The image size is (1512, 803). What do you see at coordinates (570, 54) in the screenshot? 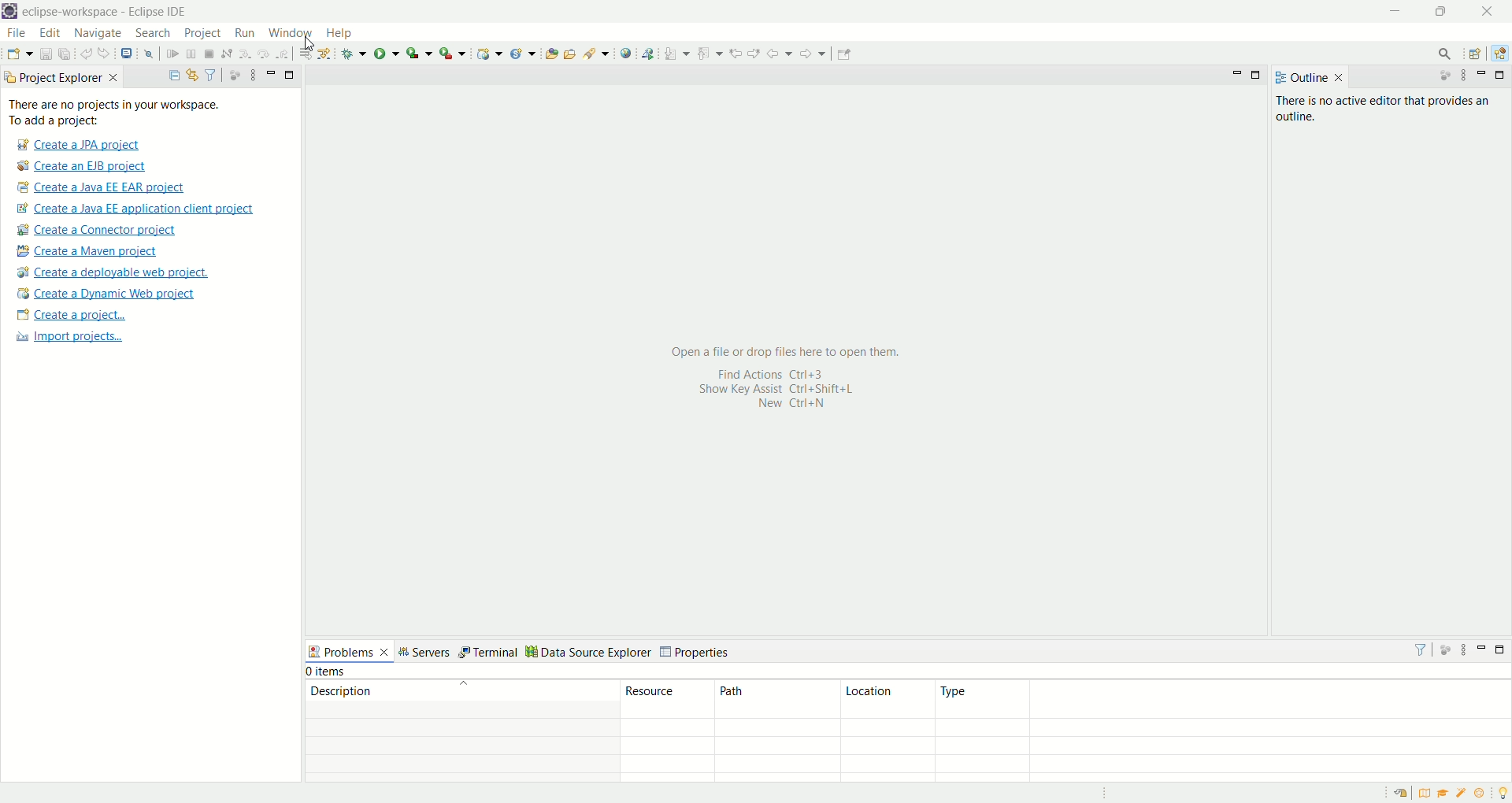
I see `open task` at bounding box center [570, 54].